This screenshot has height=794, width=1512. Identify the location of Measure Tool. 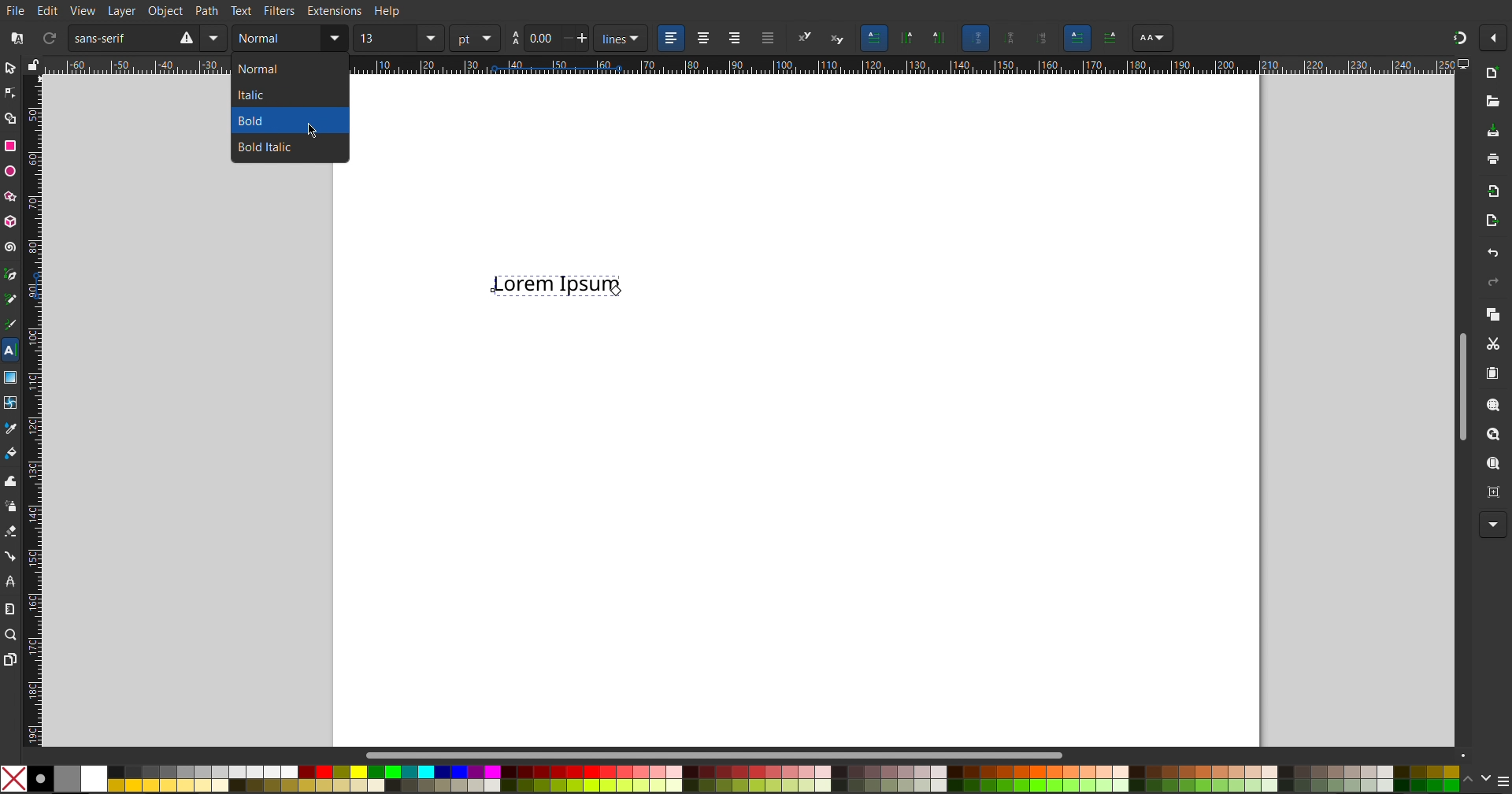
(11, 608).